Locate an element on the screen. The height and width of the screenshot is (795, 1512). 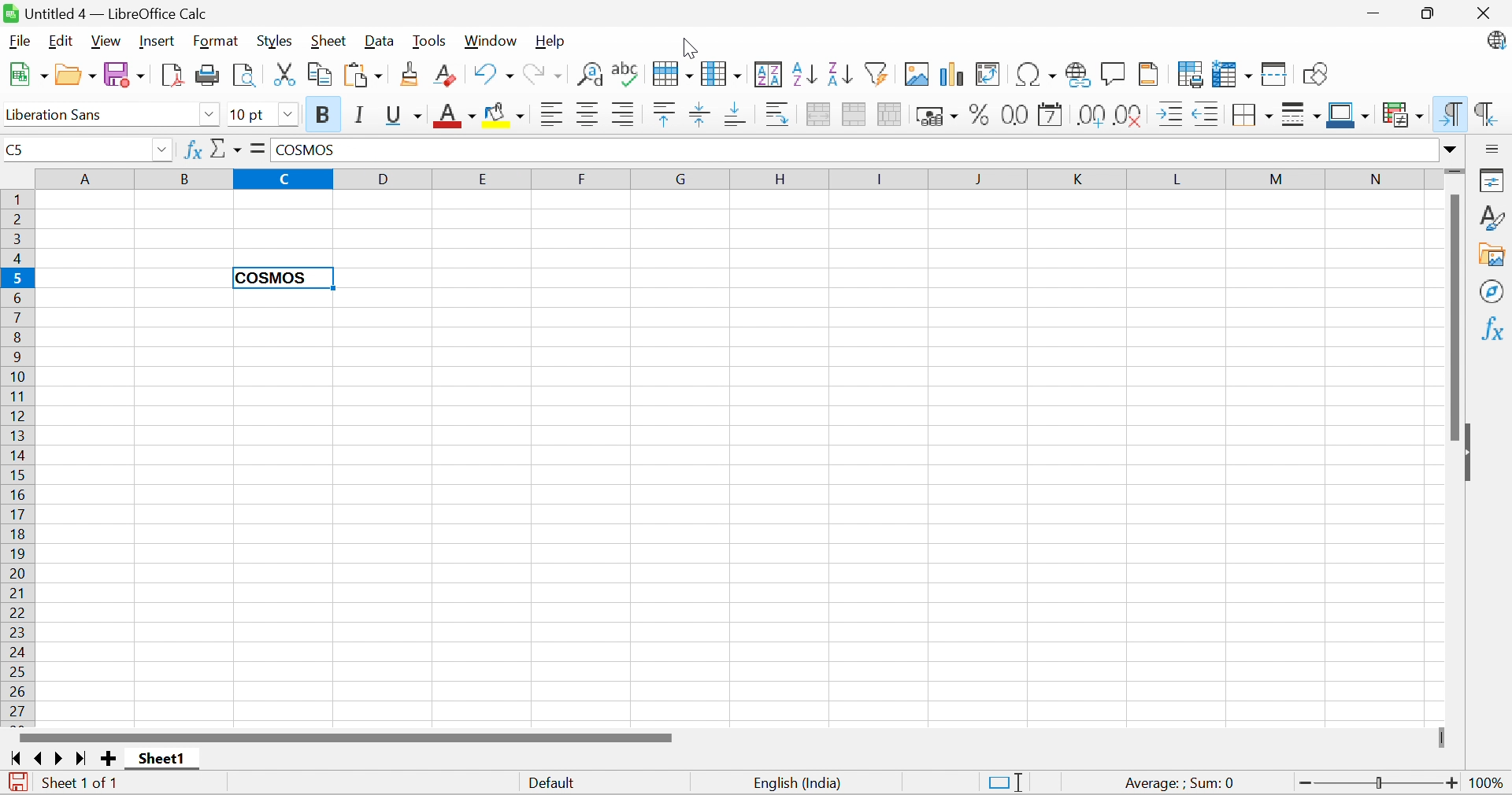
Drop Down is located at coordinates (287, 115).